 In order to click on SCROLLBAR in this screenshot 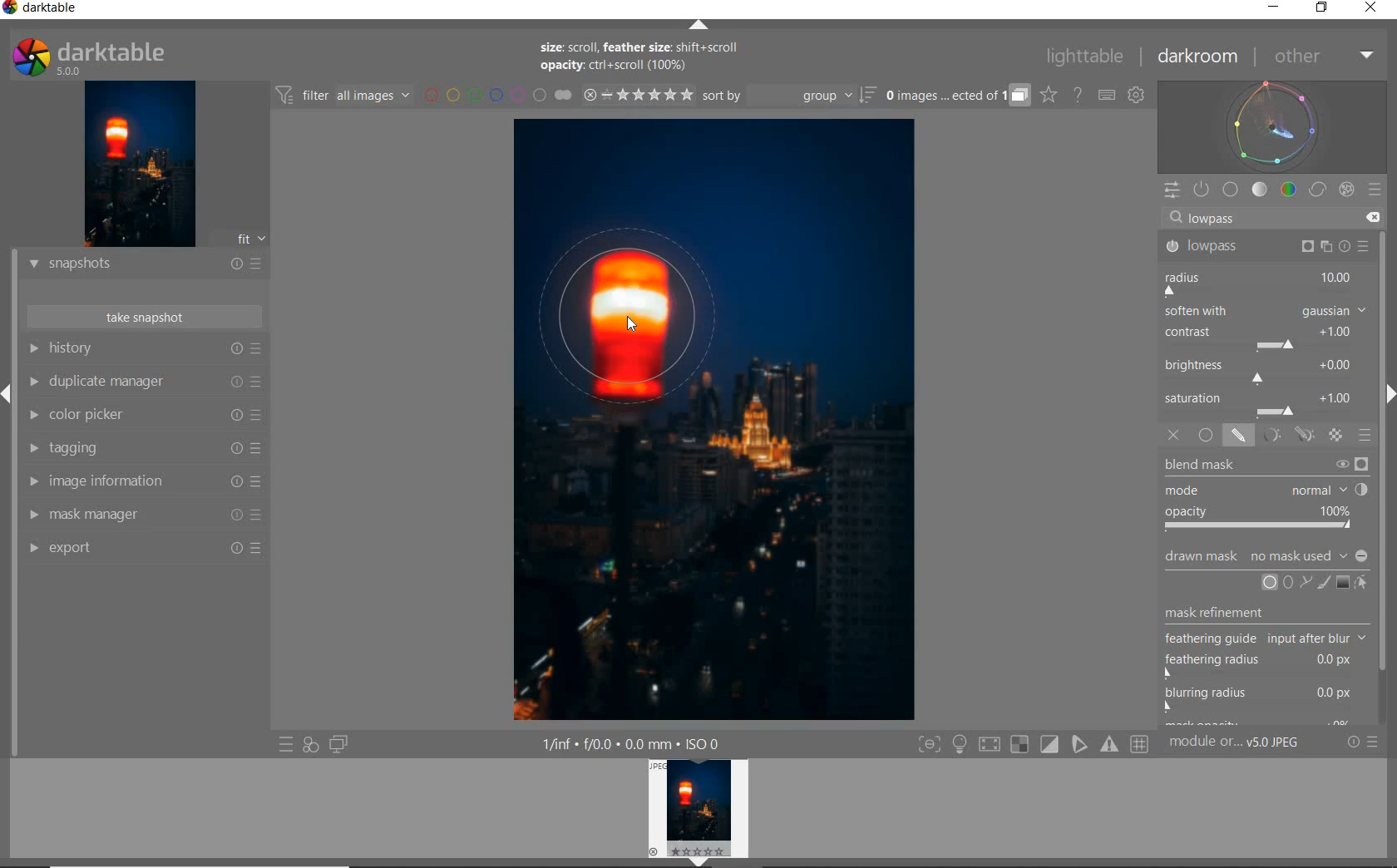, I will do `click(1389, 475)`.